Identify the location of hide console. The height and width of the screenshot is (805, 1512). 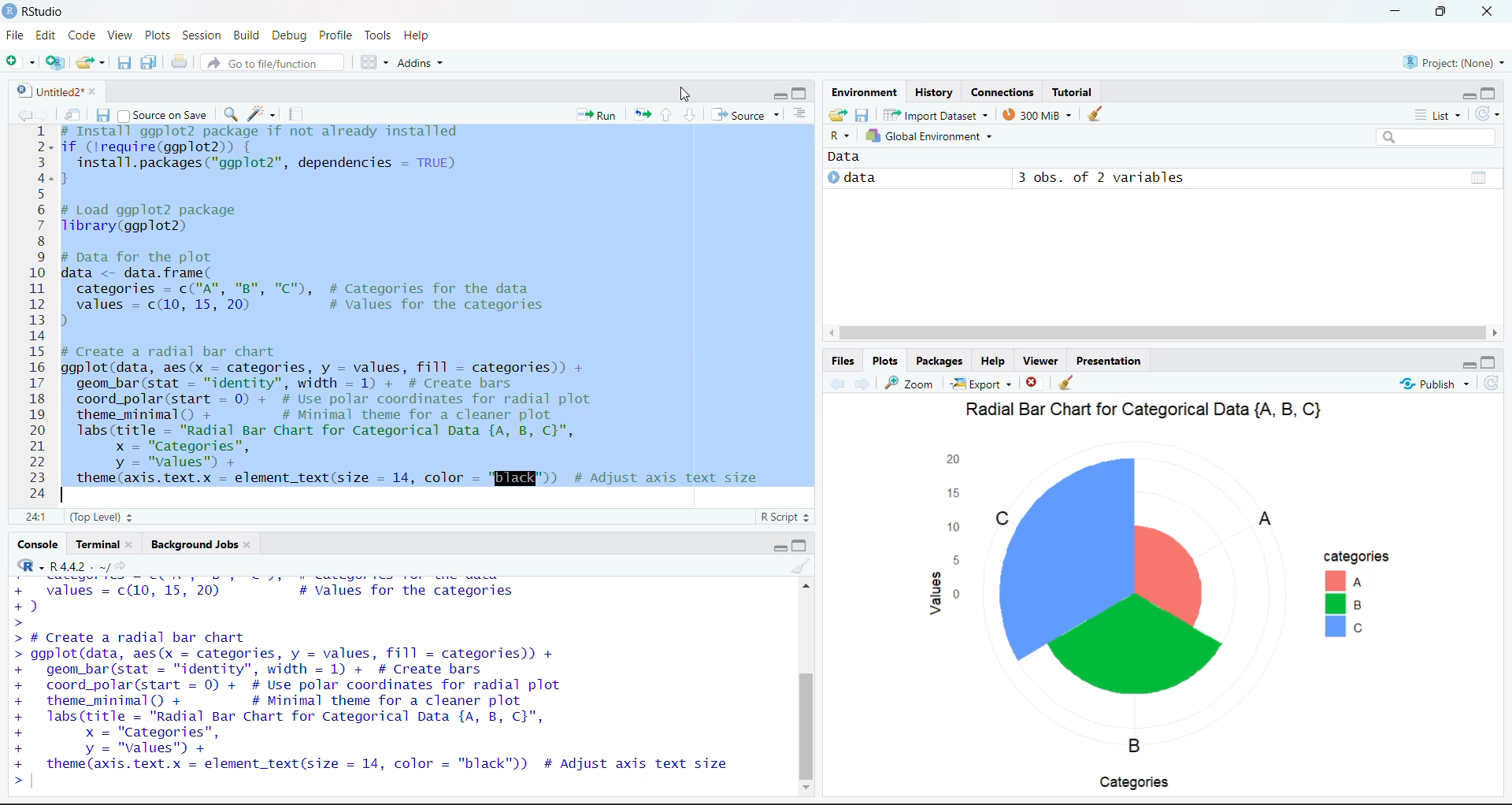
(802, 95).